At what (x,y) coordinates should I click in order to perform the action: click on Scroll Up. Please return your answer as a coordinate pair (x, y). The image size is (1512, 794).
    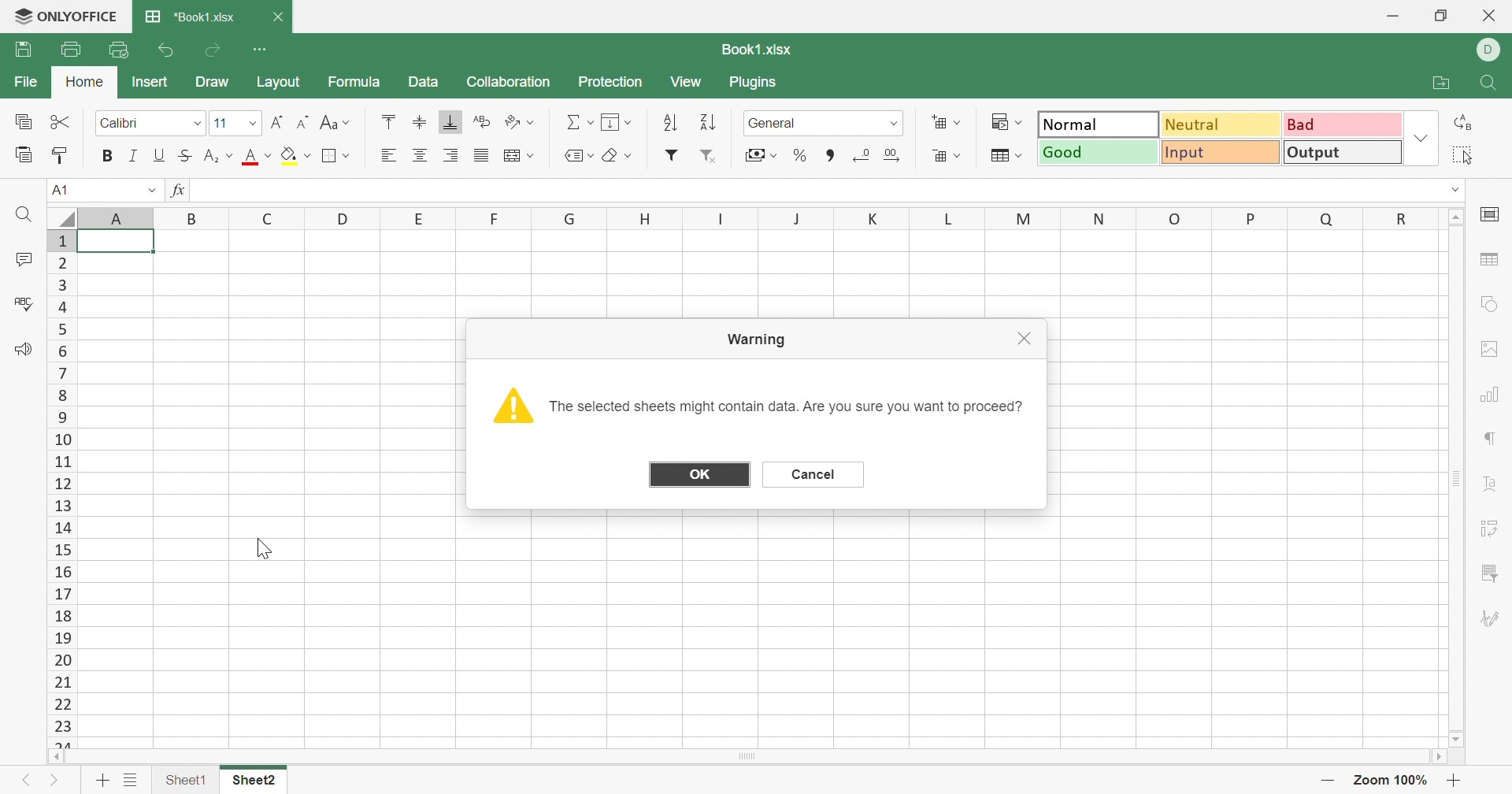
    Looking at the image, I should click on (1456, 219).